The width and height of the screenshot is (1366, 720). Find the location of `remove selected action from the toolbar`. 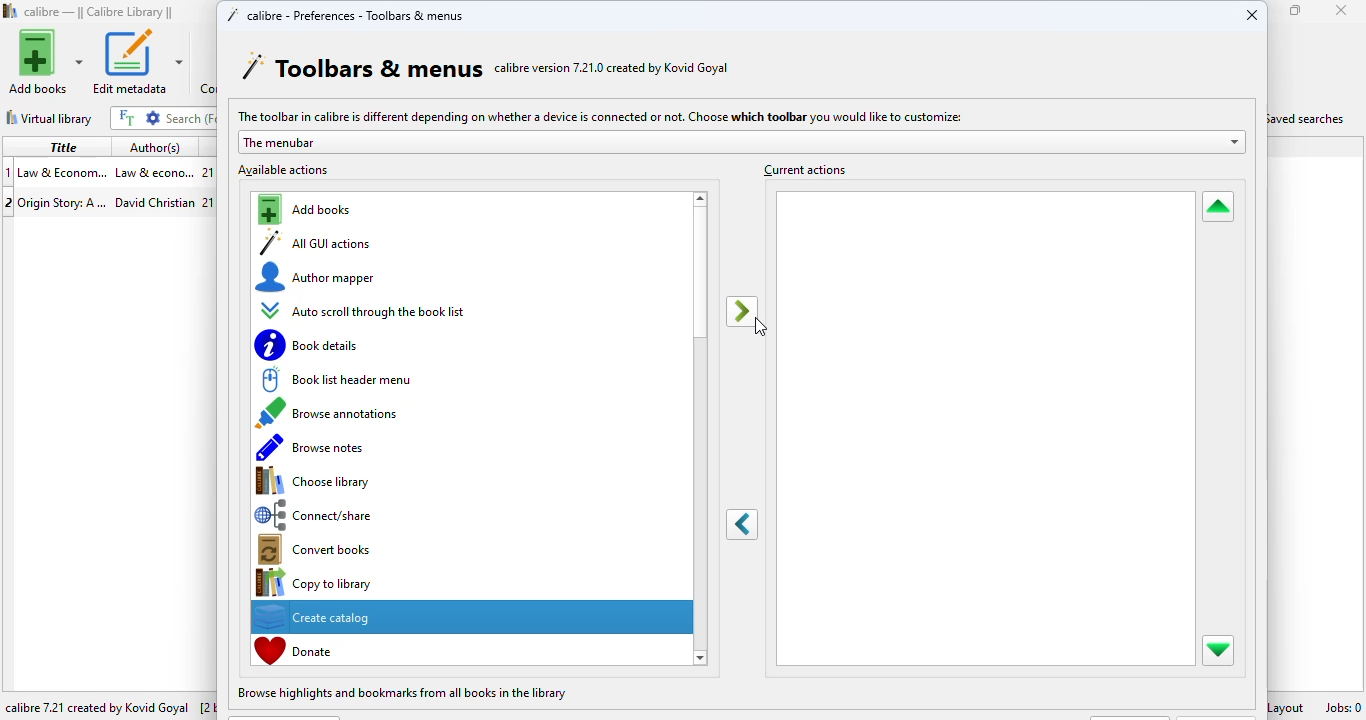

remove selected action from the toolbar is located at coordinates (743, 525).